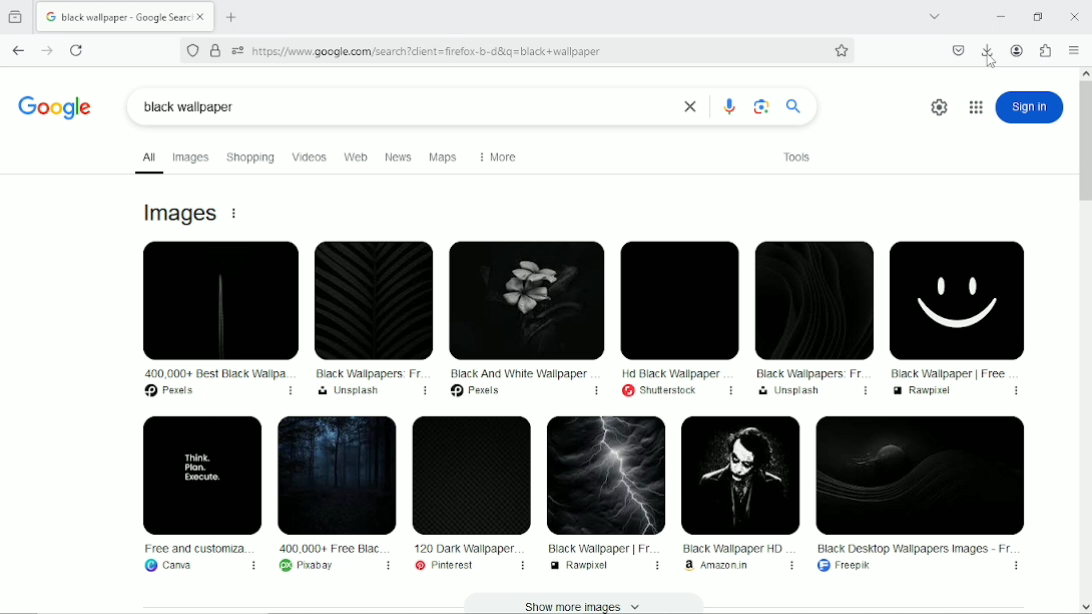 Image resolution: width=1092 pixels, height=614 pixels. I want to click on close tab, so click(203, 17).